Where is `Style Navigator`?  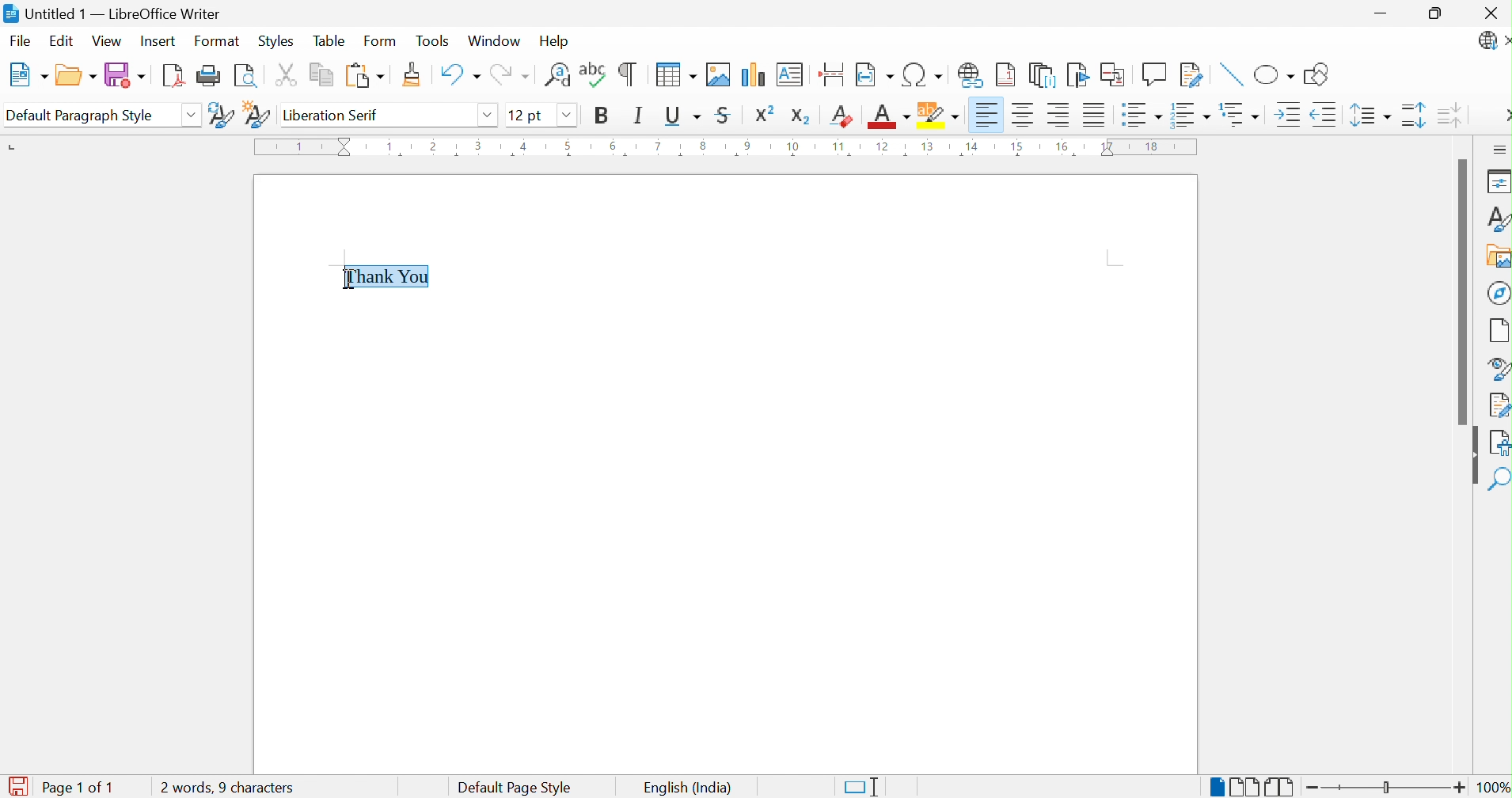
Style Navigator is located at coordinates (1495, 368).